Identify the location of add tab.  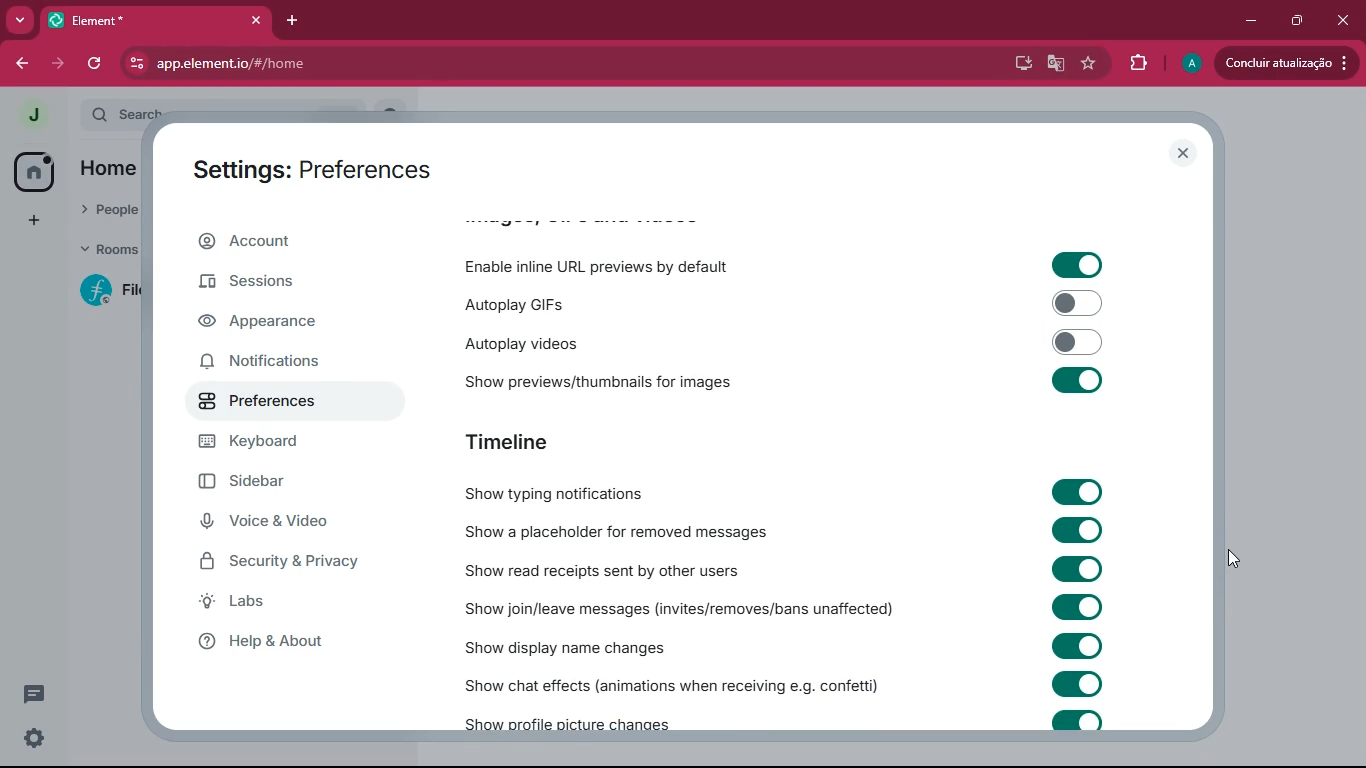
(292, 21).